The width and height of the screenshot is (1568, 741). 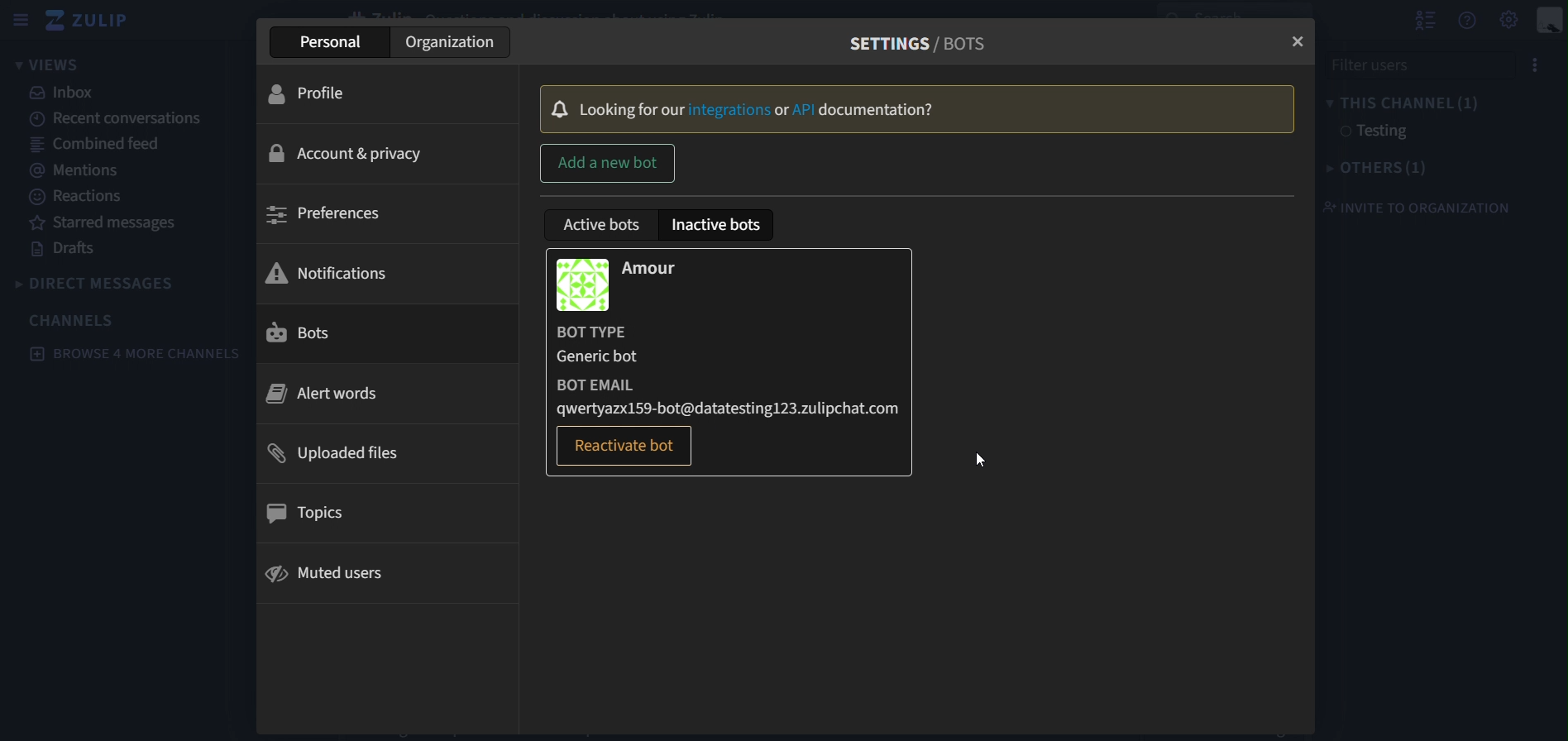 I want to click on bots, so click(x=308, y=333).